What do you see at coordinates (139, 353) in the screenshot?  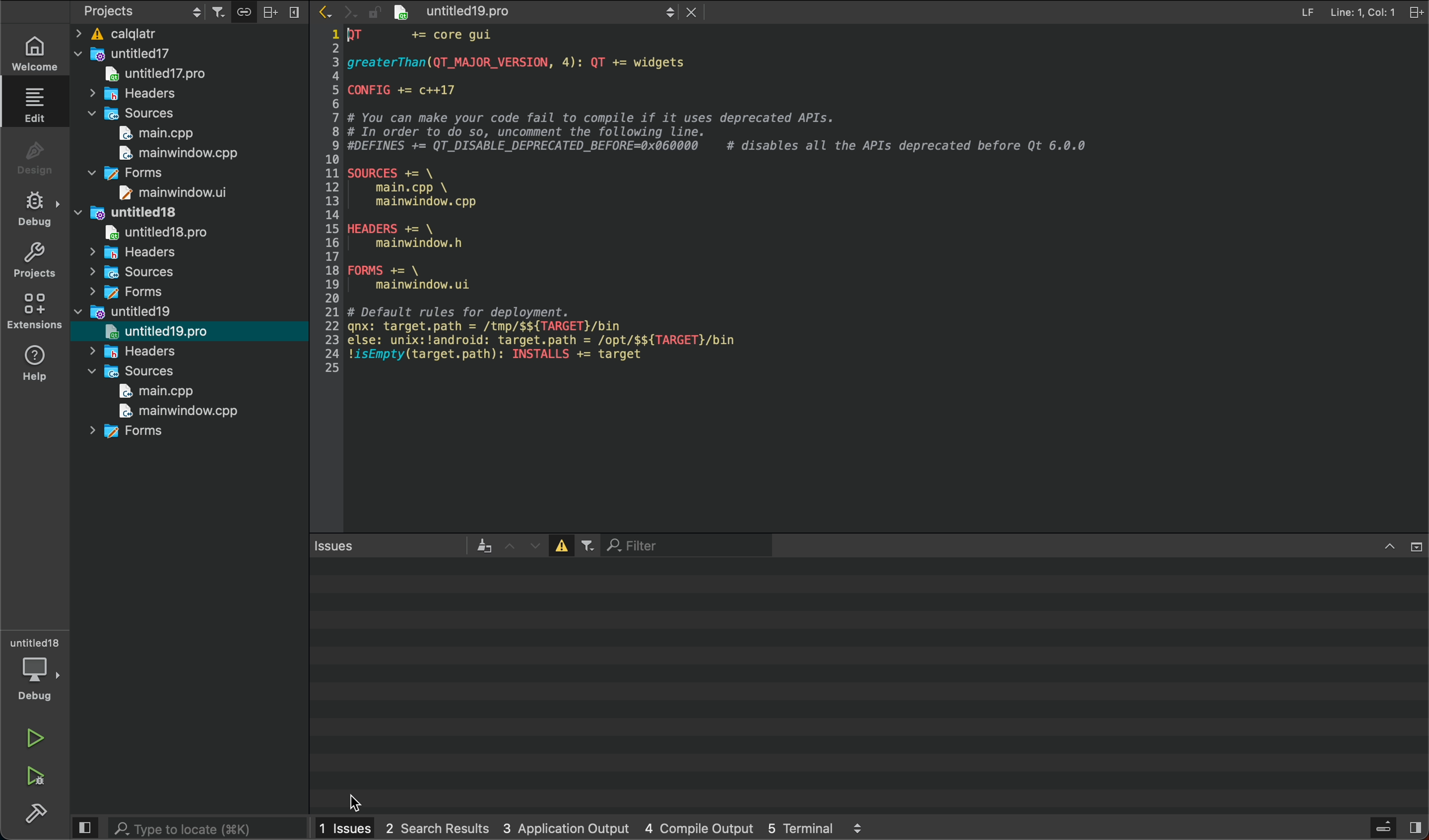 I see `headers` at bounding box center [139, 353].